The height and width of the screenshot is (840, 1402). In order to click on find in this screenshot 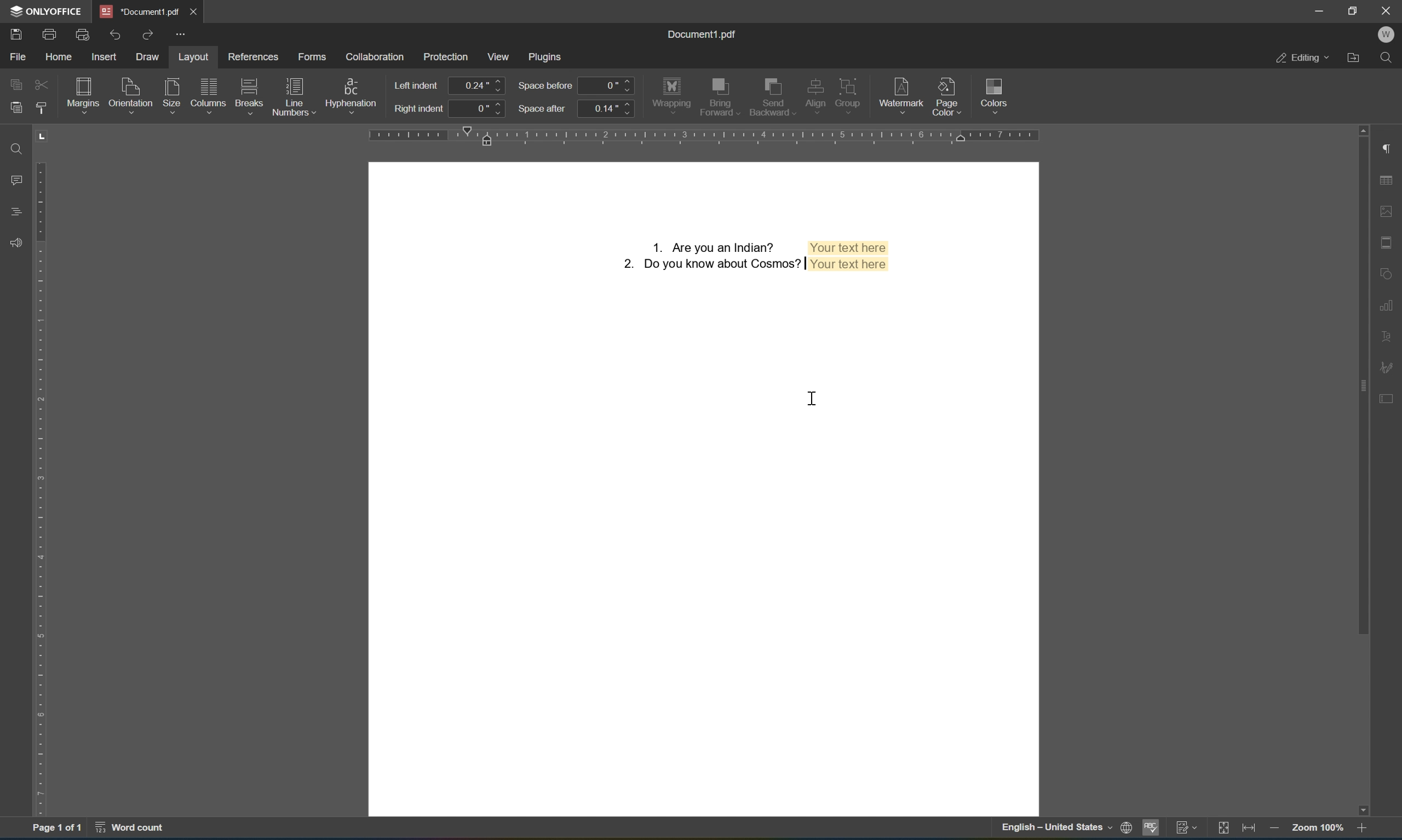, I will do `click(1391, 58)`.